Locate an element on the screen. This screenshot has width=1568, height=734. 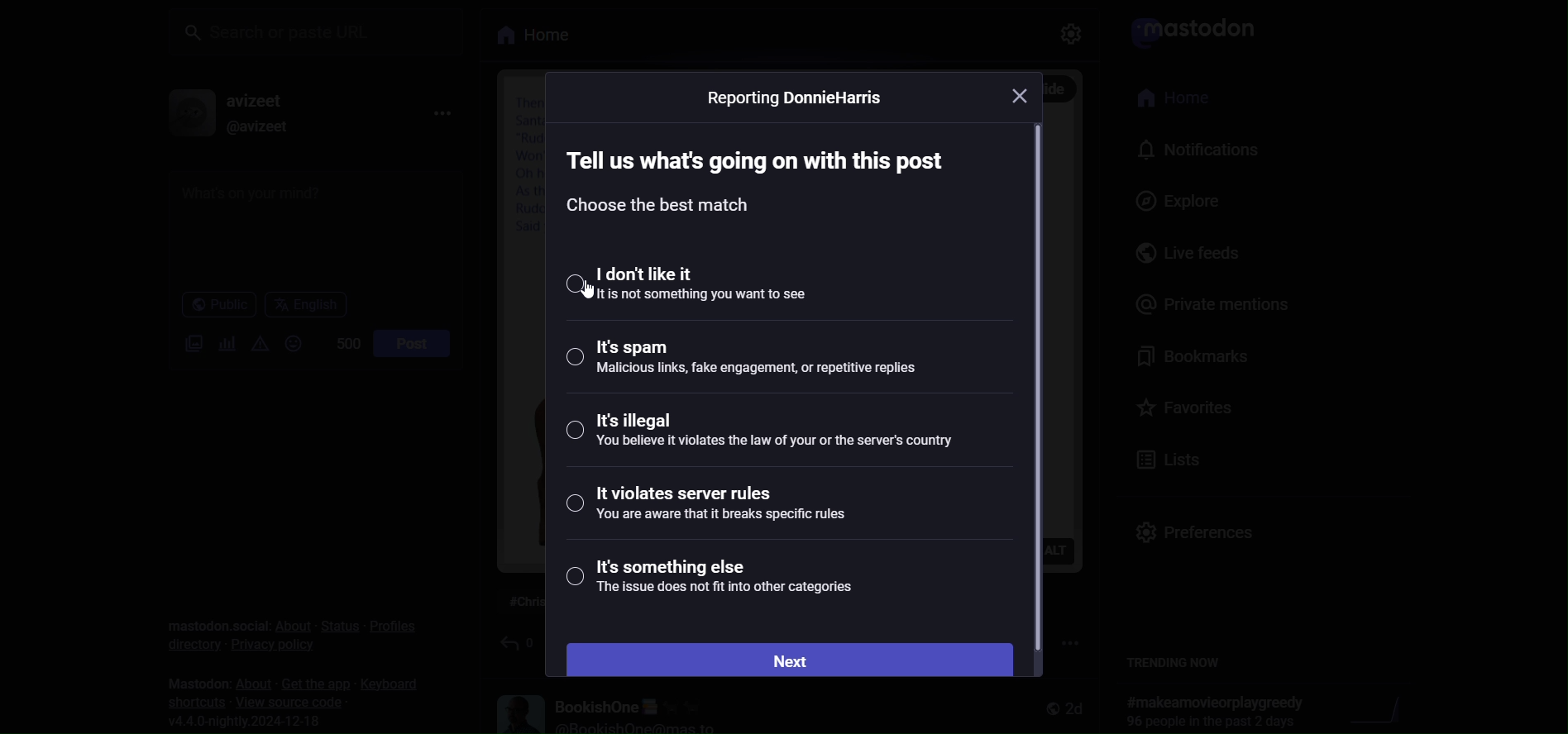
lists is located at coordinates (1167, 456).